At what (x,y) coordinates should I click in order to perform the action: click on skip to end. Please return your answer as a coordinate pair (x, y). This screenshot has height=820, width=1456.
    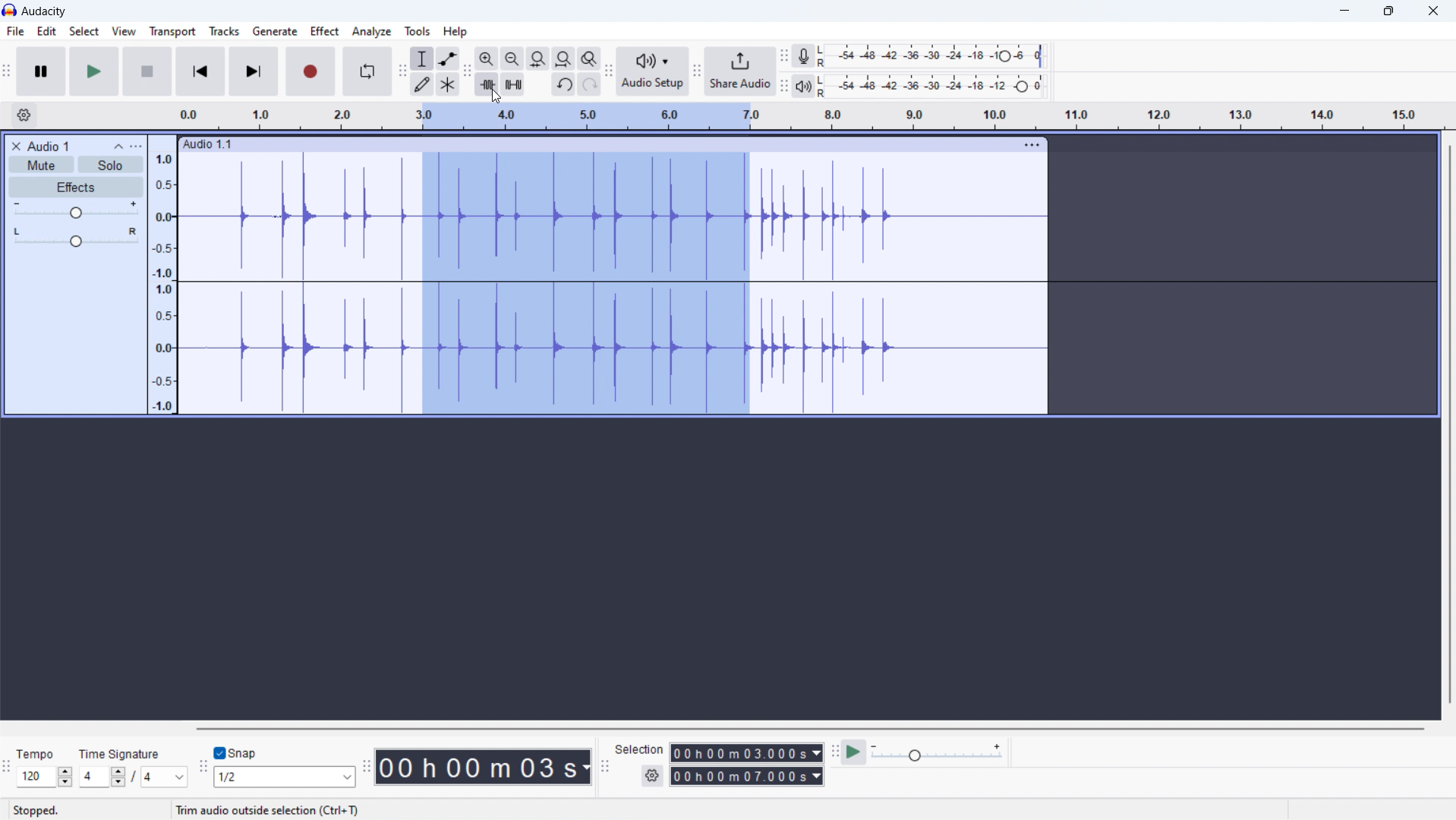
    Looking at the image, I should click on (254, 71).